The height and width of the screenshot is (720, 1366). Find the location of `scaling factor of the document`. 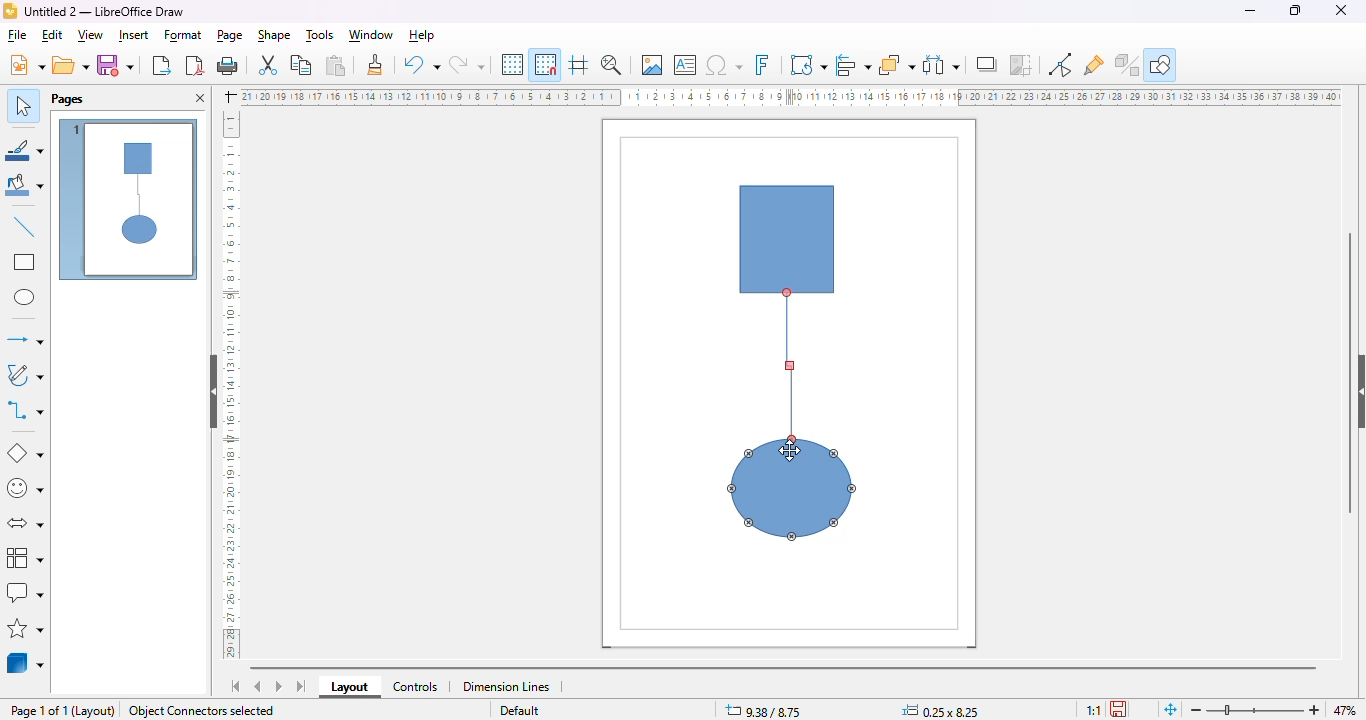

scaling factor of the document is located at coordinates (1091, 708).